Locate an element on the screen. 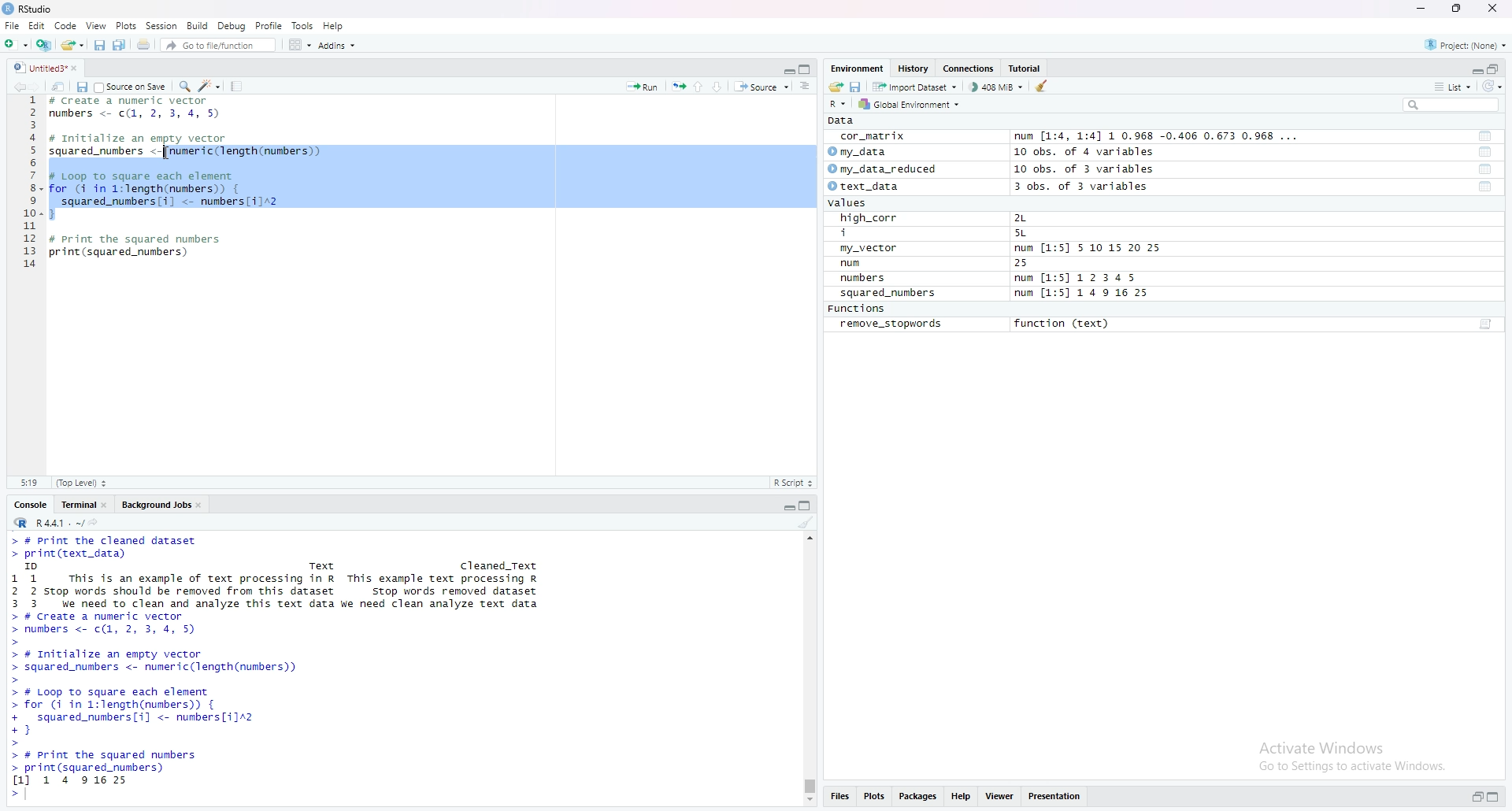  squared_numbers <- is located at coordinates (106, 152).